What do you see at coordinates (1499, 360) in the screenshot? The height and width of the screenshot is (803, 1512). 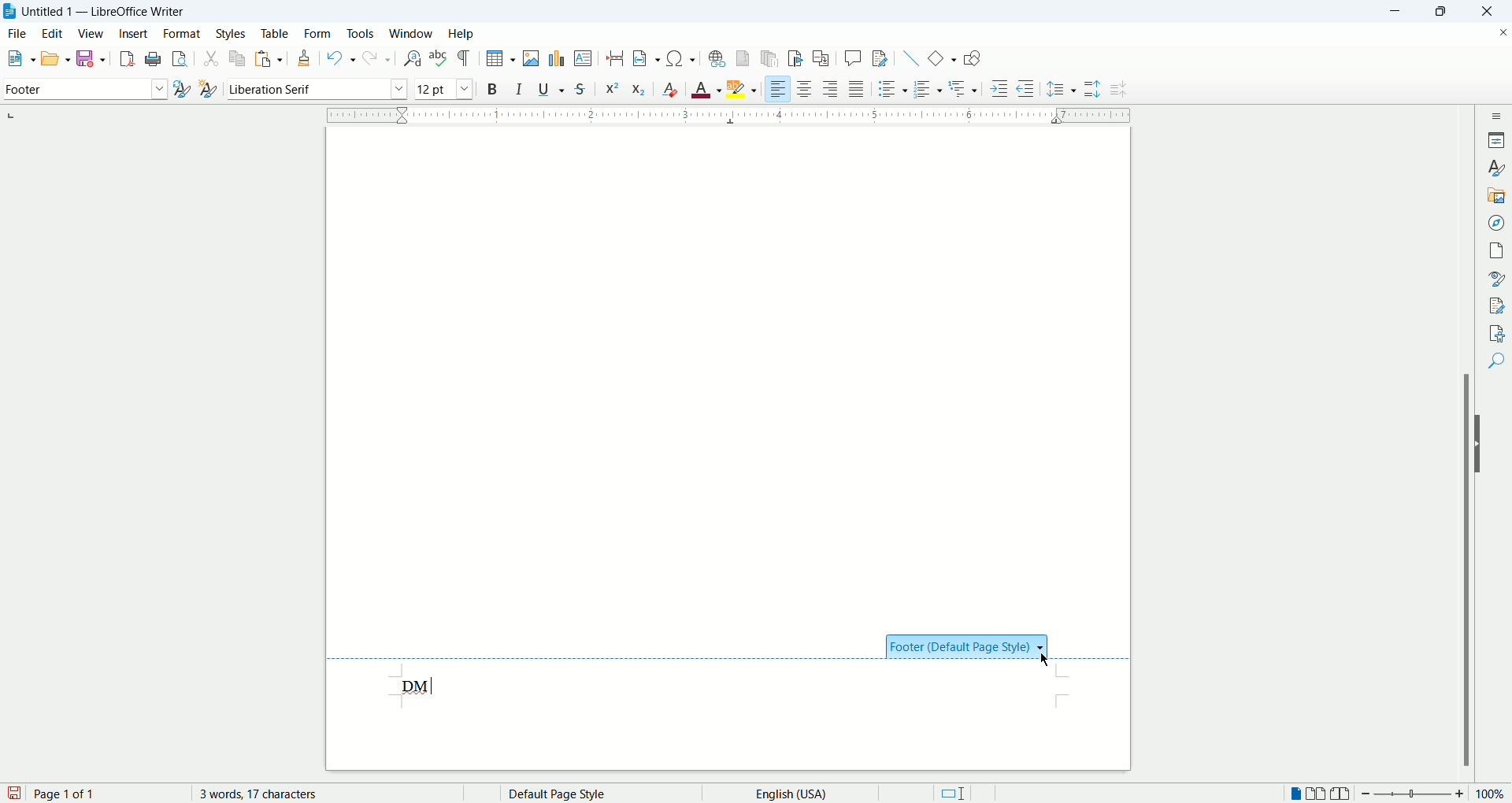 I see `find` at bounding box center [1499, 360].